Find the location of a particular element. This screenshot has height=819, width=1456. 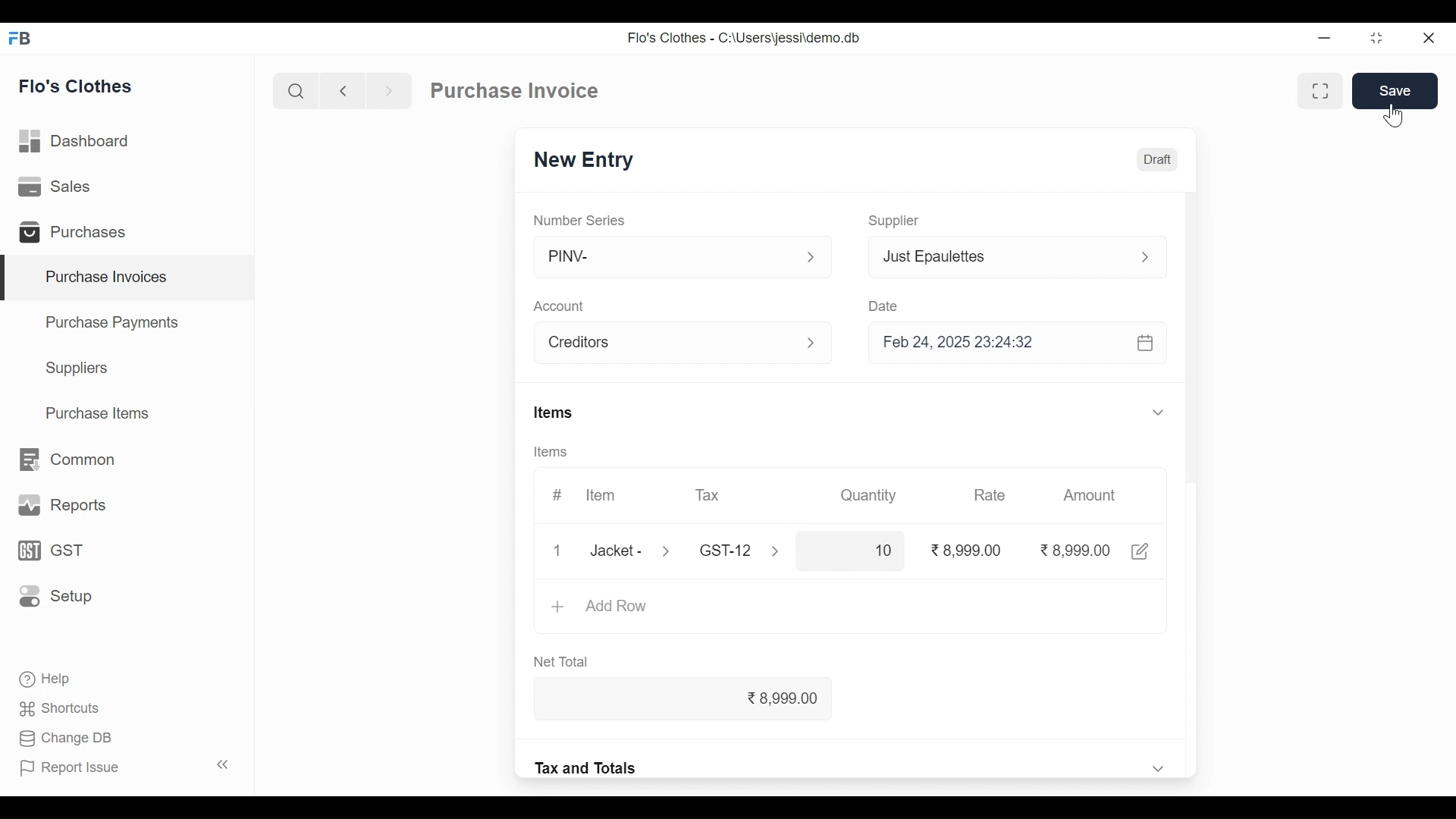

# is located at coordinates (558, 494).